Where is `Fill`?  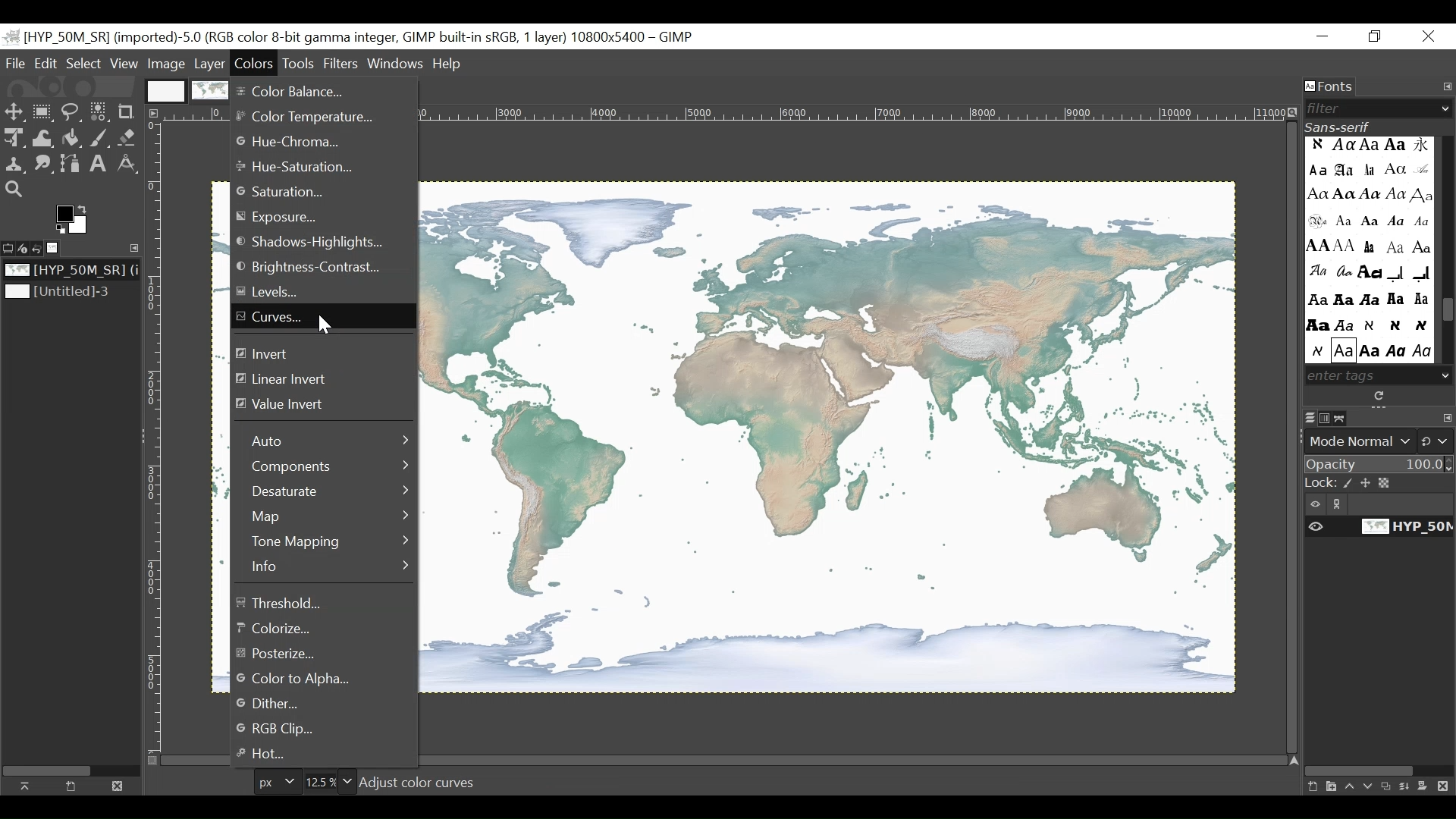
Fill is located at coordinates (70, 140).